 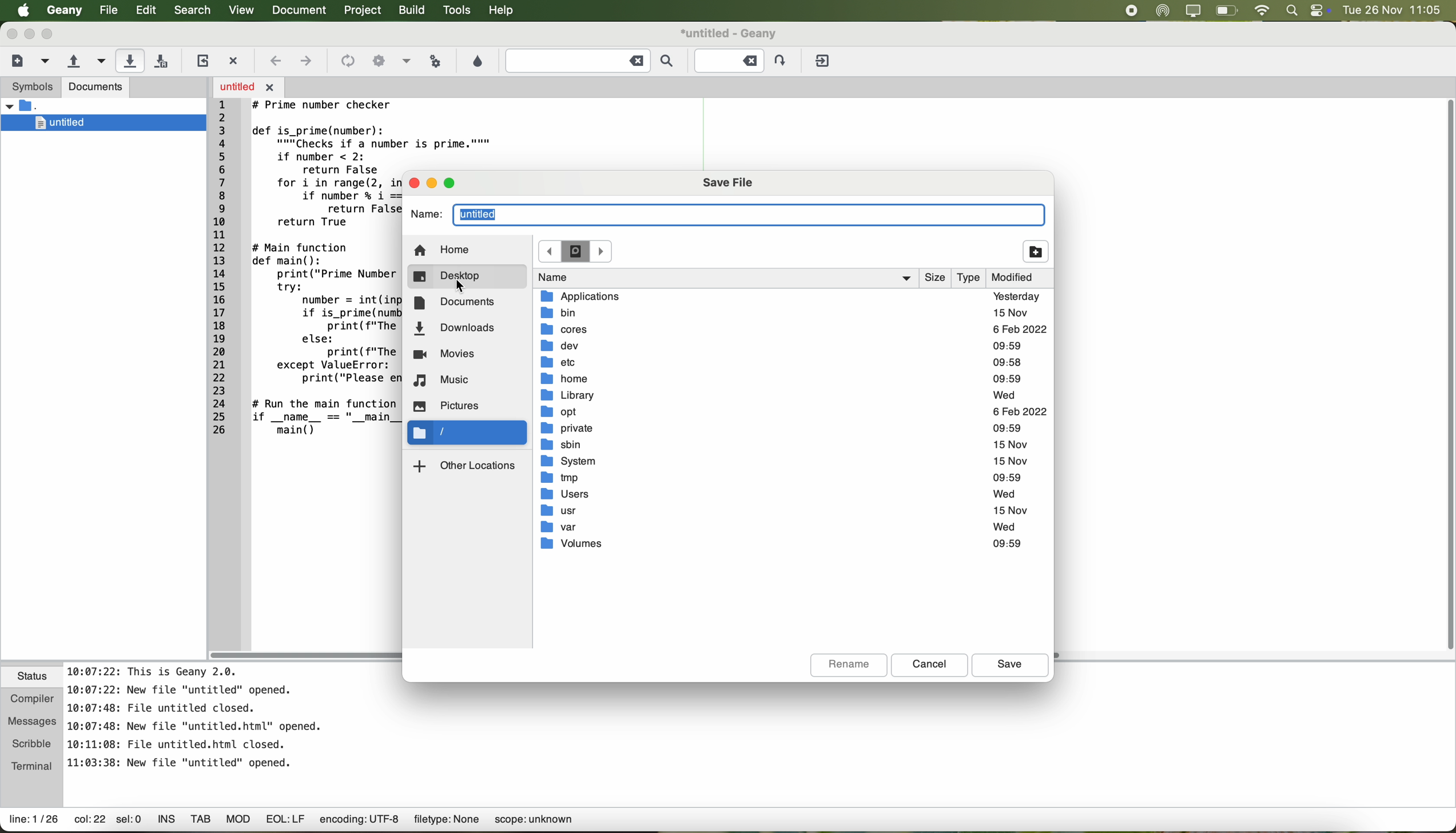 What do you see at coordinates (477, 61) in the screenshot?
I see `choose color` at bounding box center [477, 61].